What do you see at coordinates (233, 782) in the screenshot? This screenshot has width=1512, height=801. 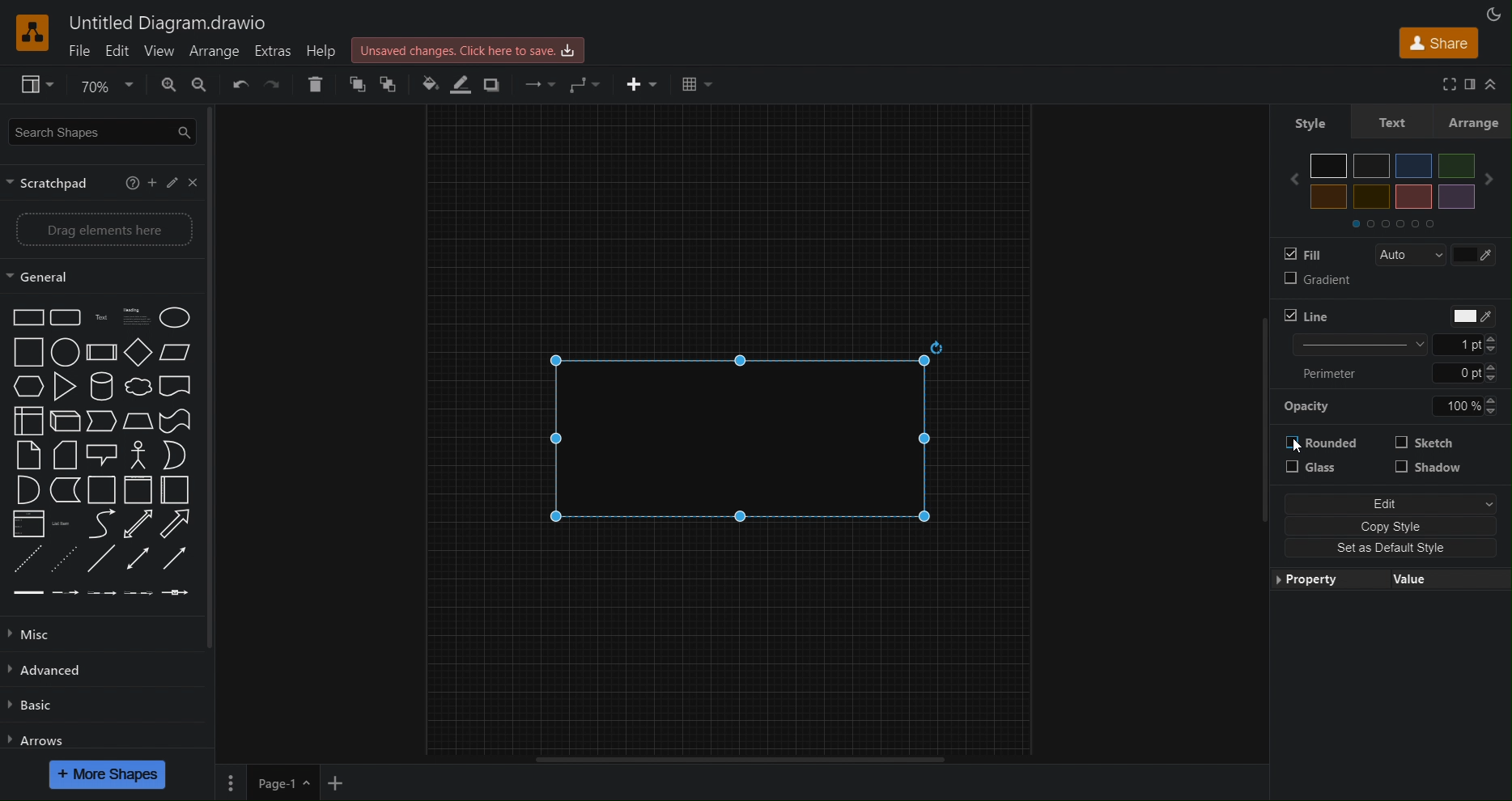 I see `Pages` at bounding box center [233, 782].